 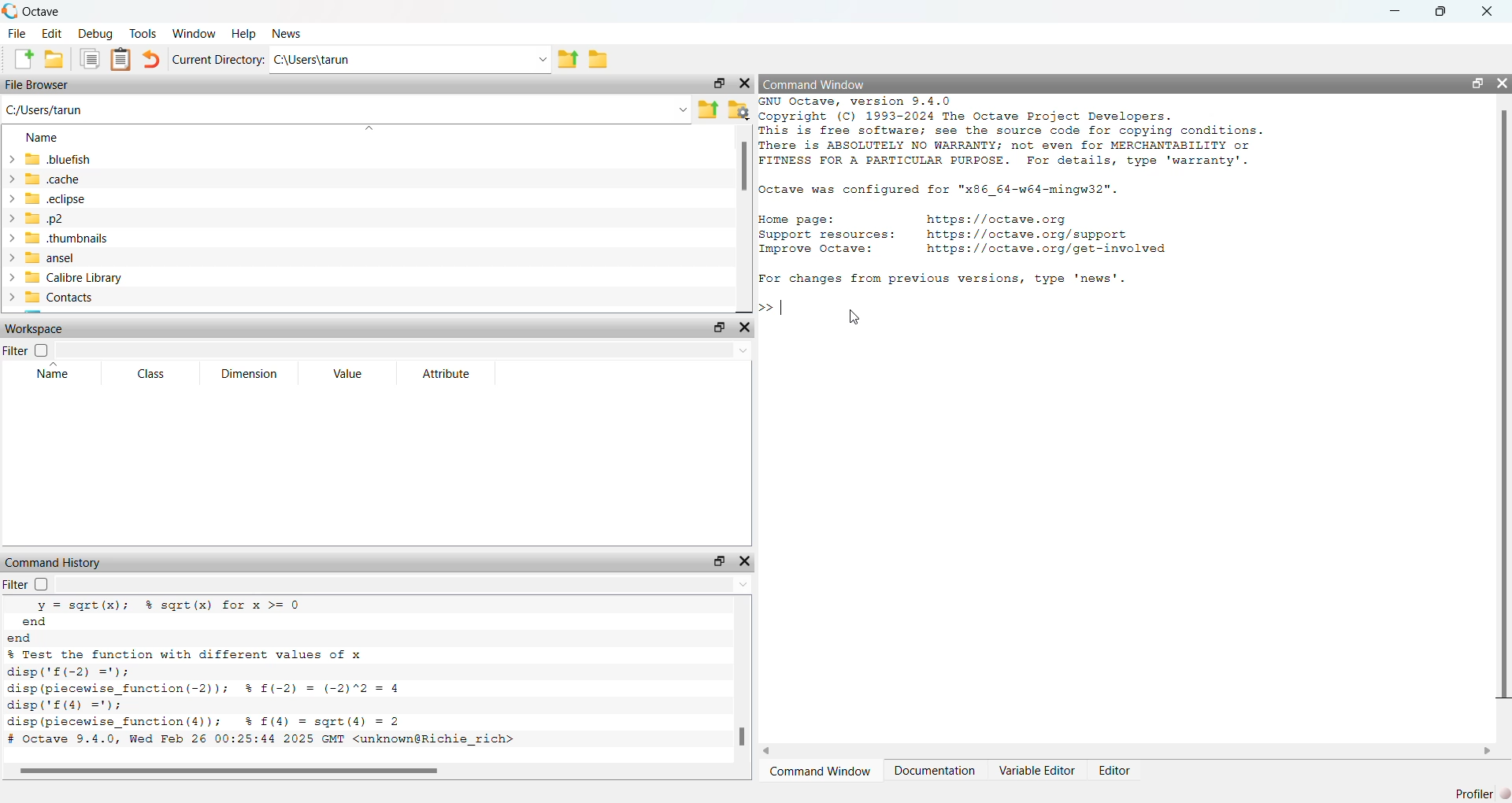 What do you see at coordinates (743, 561) in the screenshot?
I see `Close` at bounding box center [743, 561].